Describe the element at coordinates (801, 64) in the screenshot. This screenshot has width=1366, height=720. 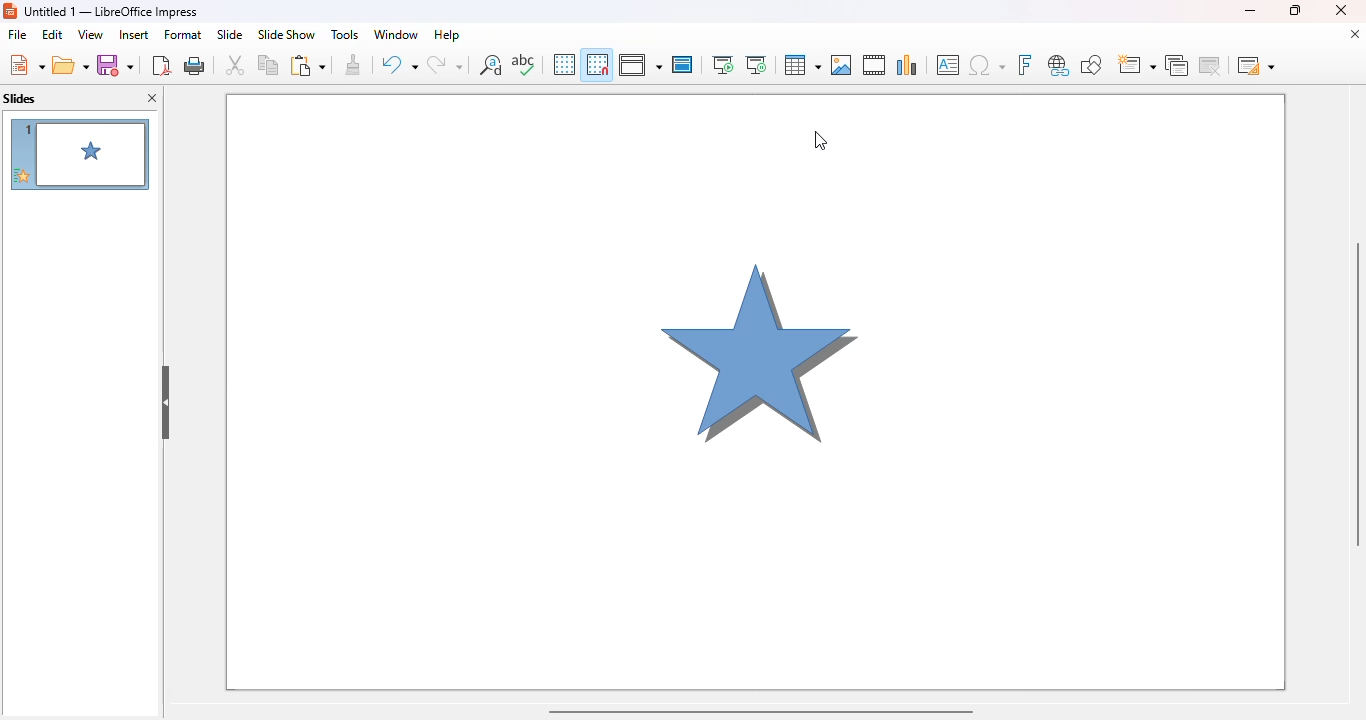
I see `table` at that location.